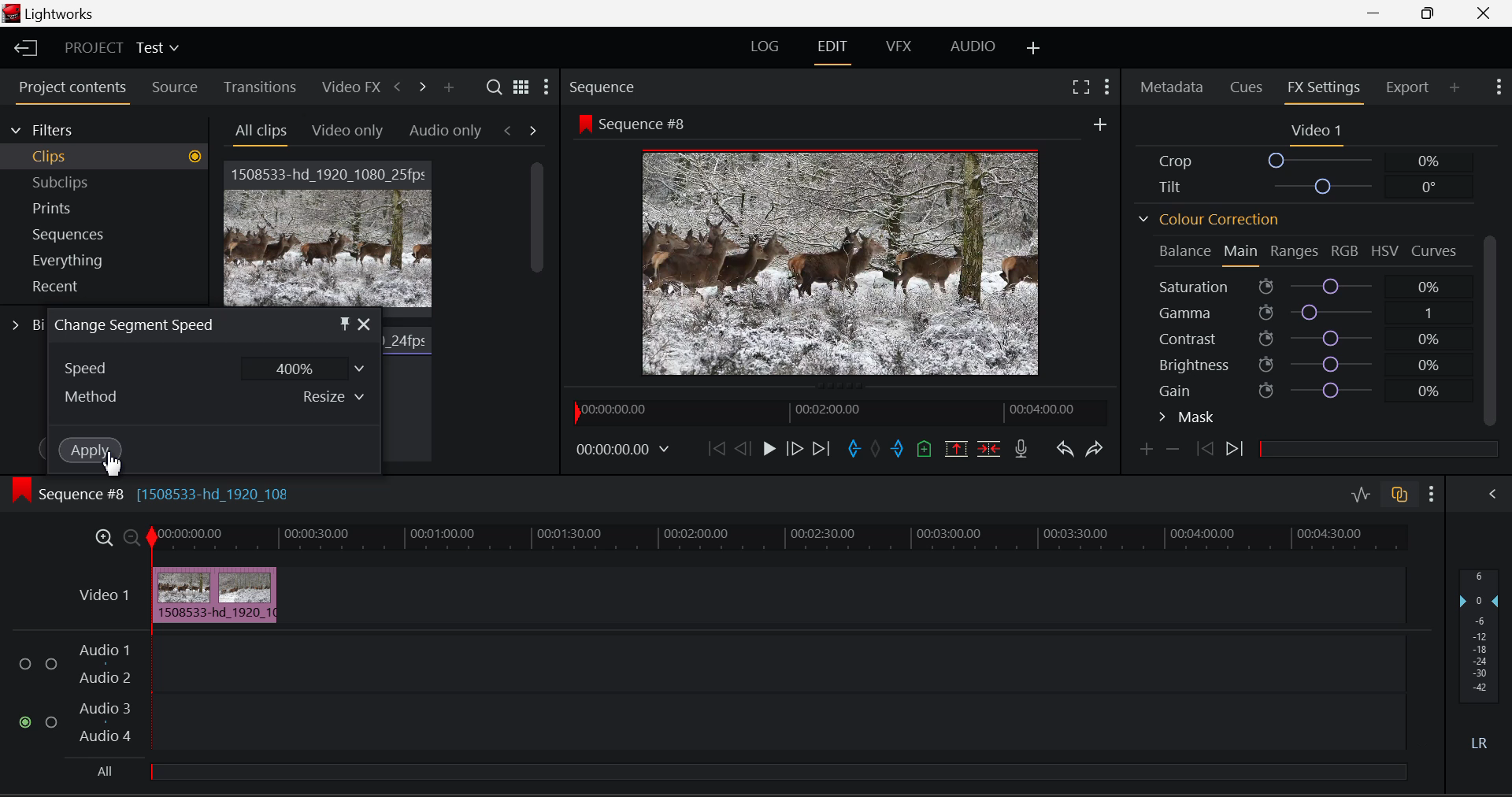 The image size is (1512, 797). What do you see at coordinates (1477, 743) in the screenshot?
I see `Left Round Sound Button` at bounding box center [1477, 743].